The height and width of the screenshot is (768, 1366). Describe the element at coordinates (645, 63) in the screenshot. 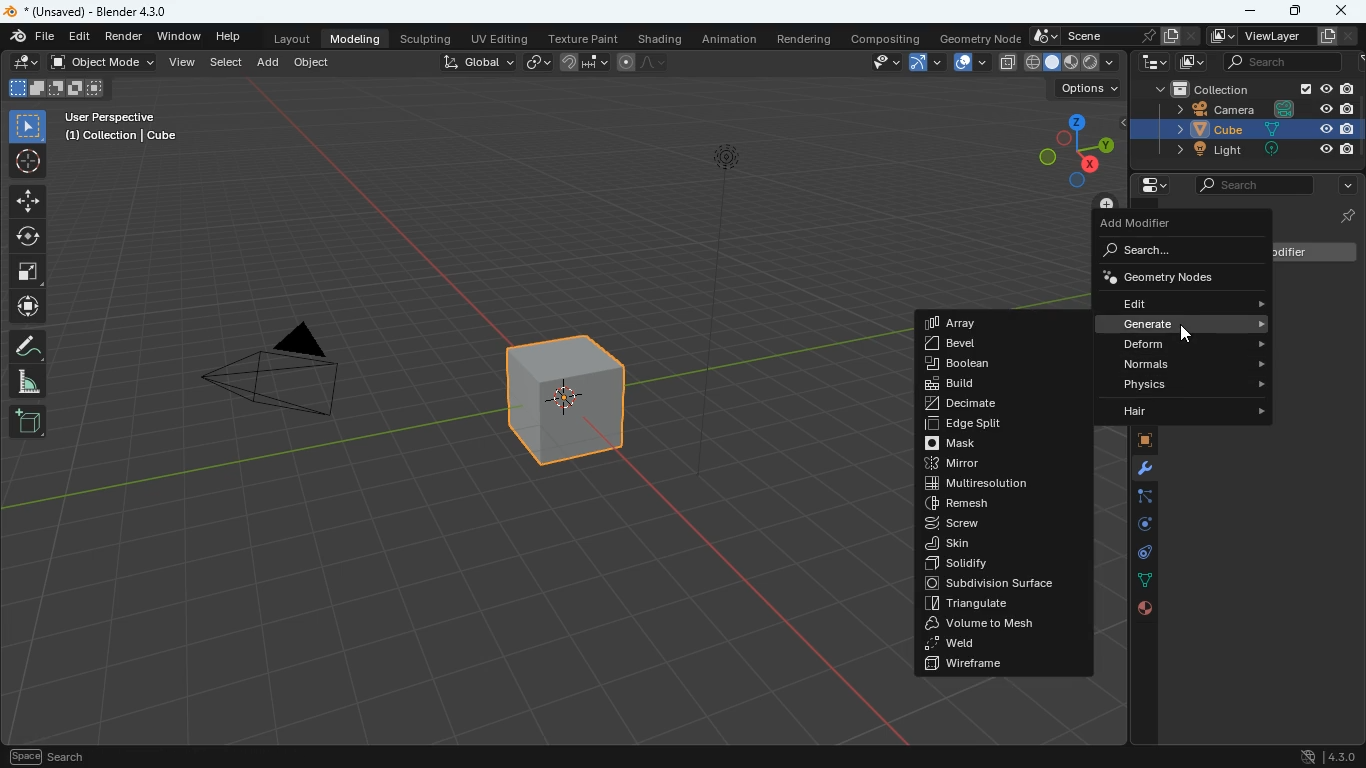

I see `line` at that location.